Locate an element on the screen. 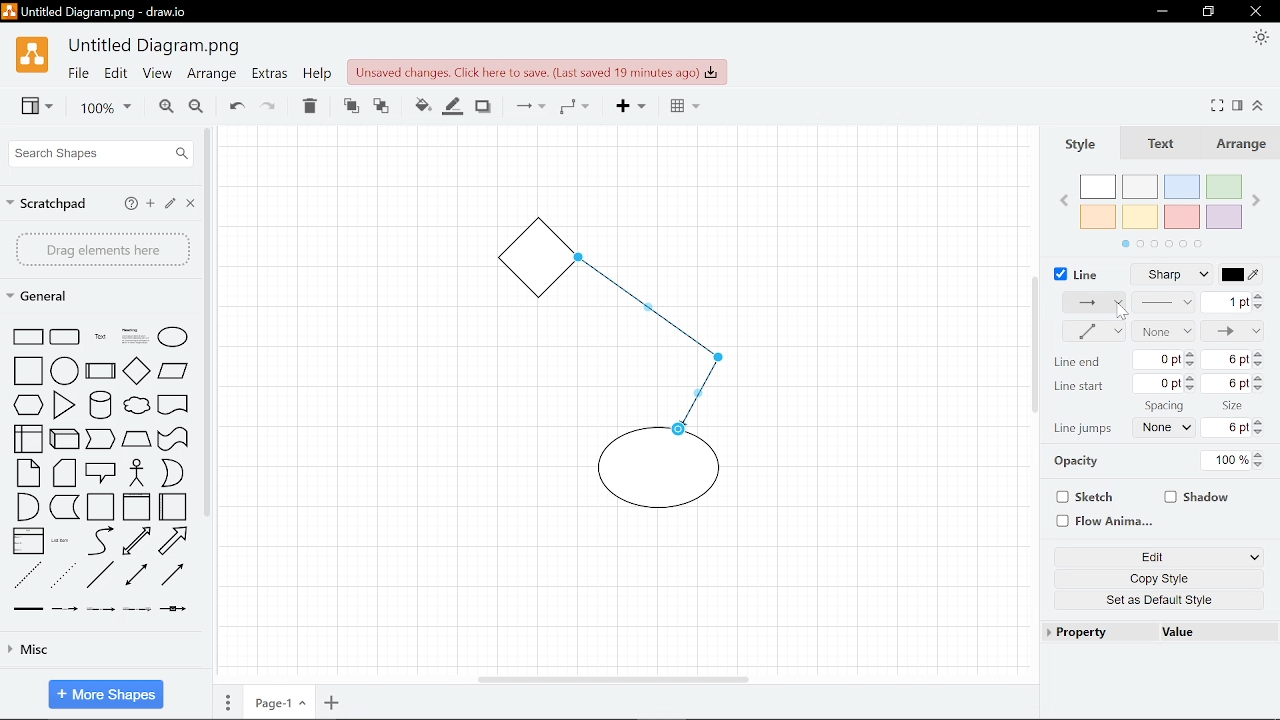  Table is located at coordinates (680, 108).